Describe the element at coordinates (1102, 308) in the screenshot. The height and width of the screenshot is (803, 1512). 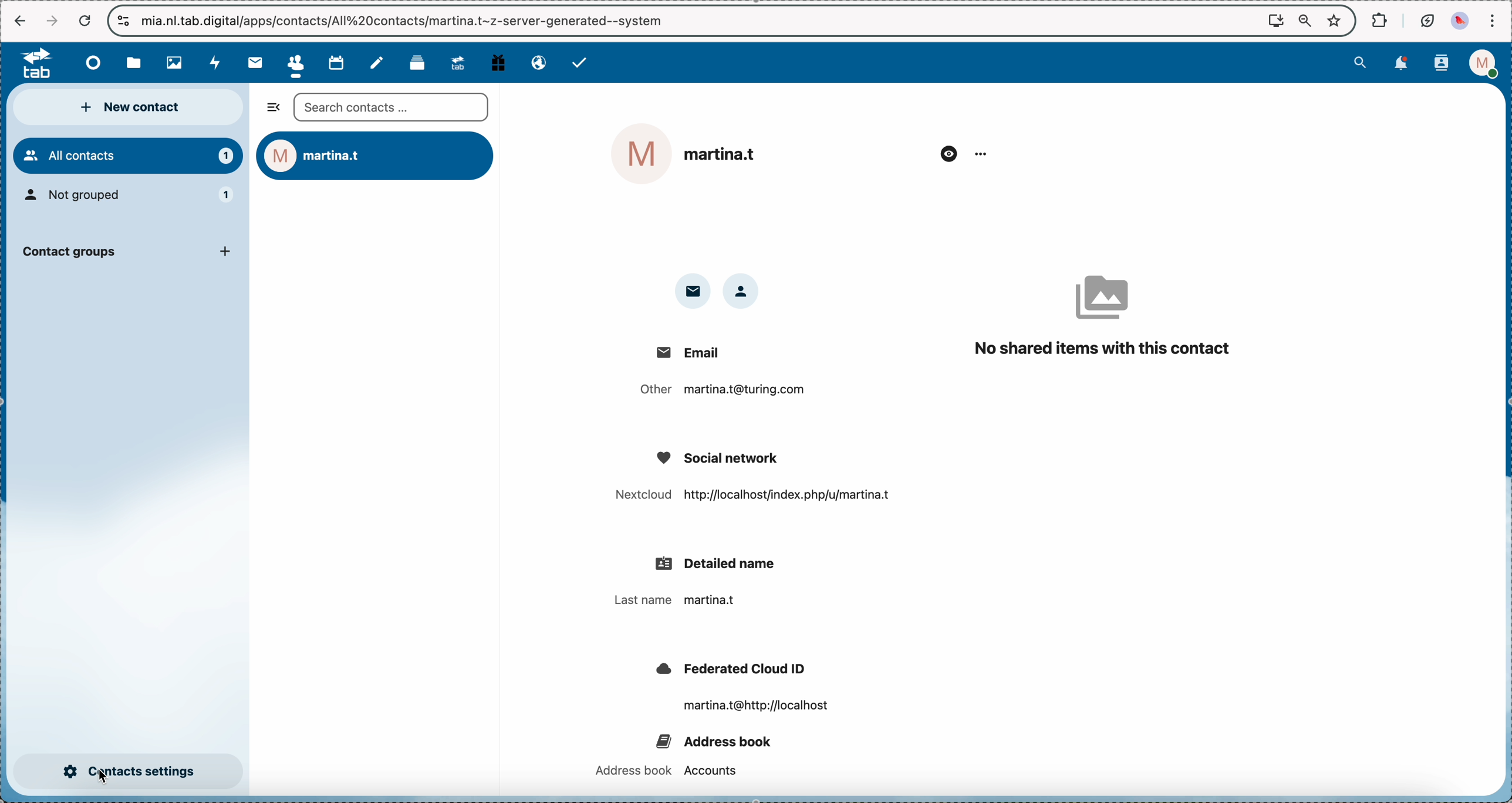
I see `no shared items with this contact` at that location.